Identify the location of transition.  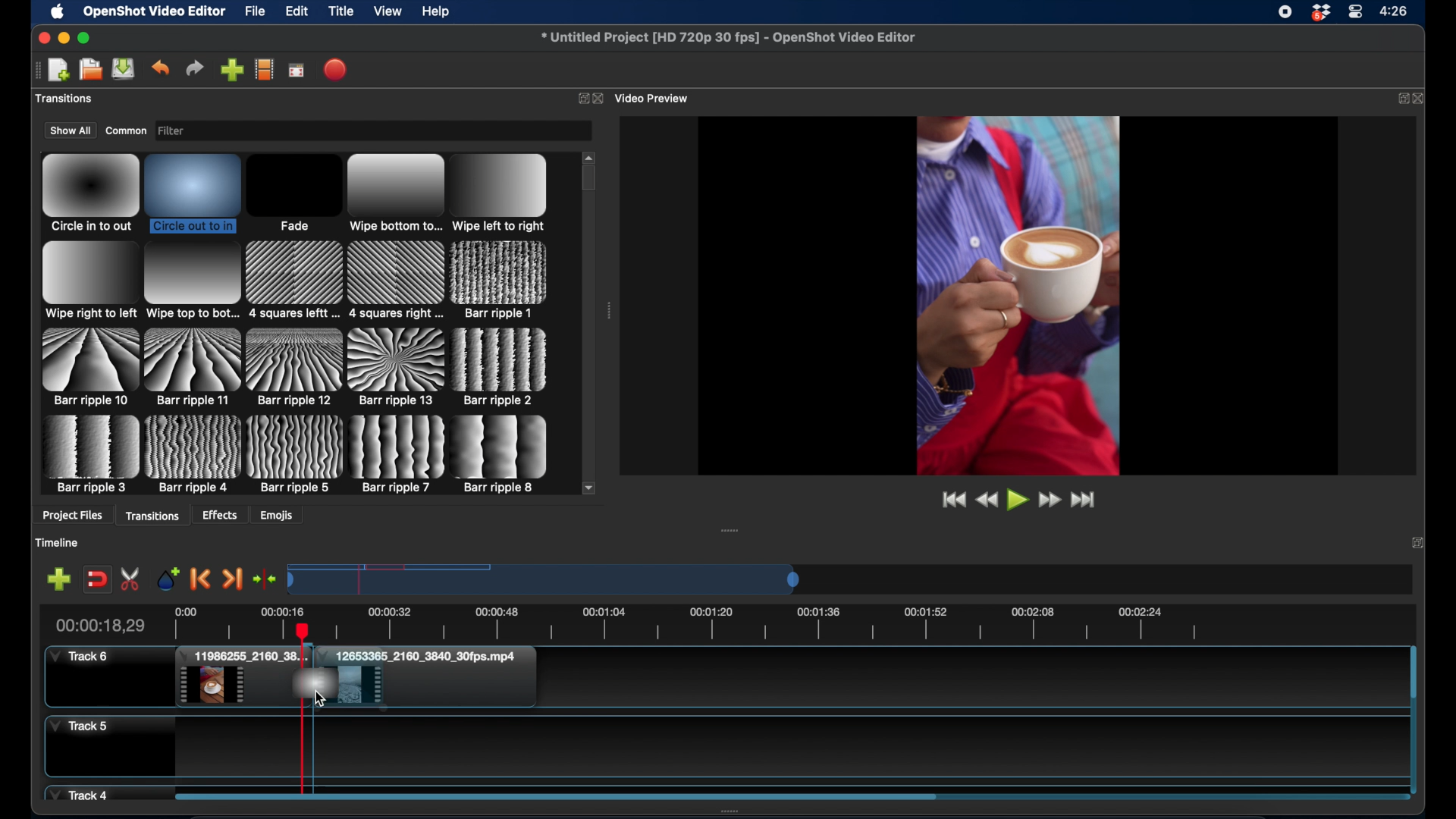
(500, 192).